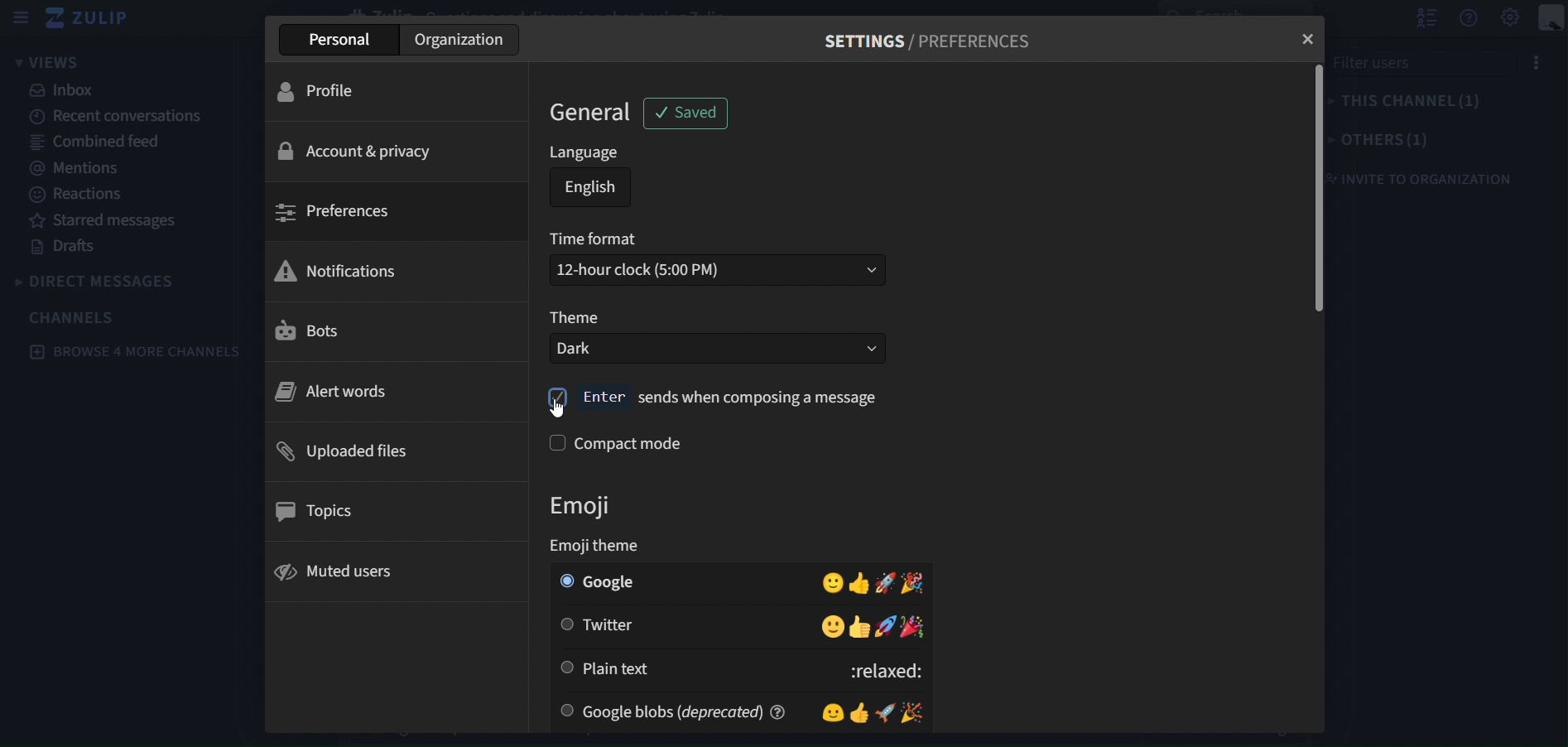 The height and width of the screenshot is (747, 1568). Describe the element at coordinates (340, 40) in the screenshot. I see `personal` at that location.